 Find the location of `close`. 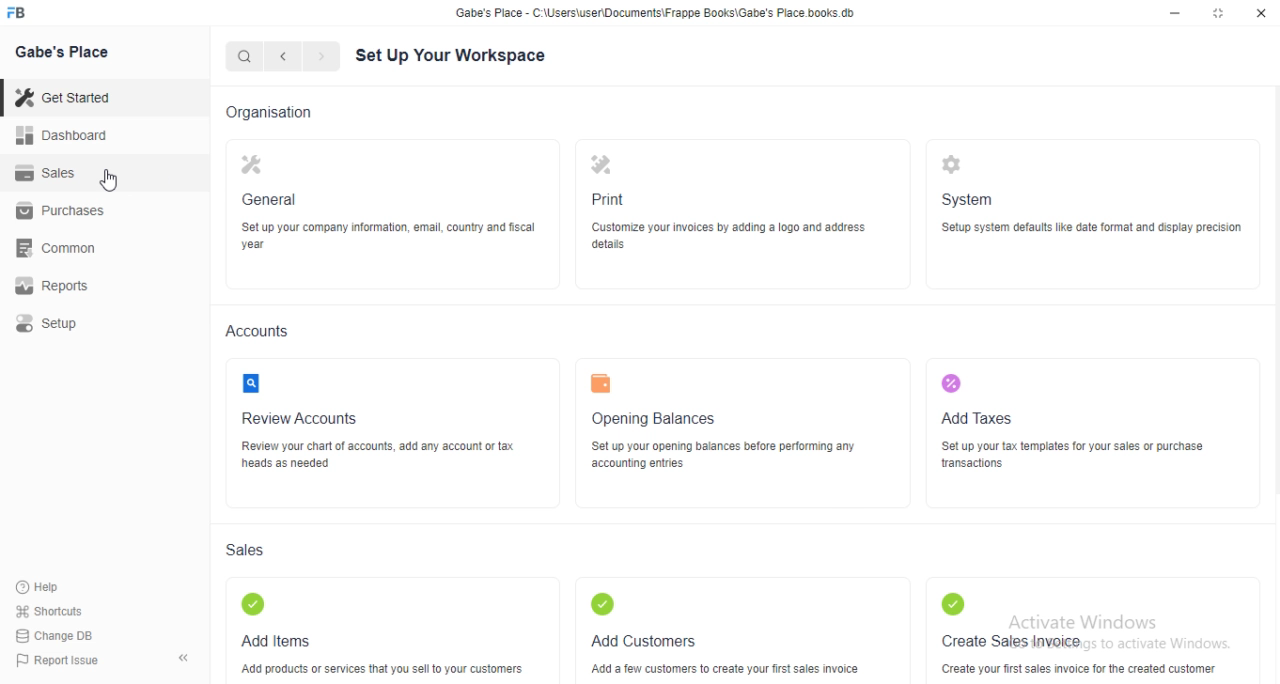

close is located at coordinates (1260, 12).